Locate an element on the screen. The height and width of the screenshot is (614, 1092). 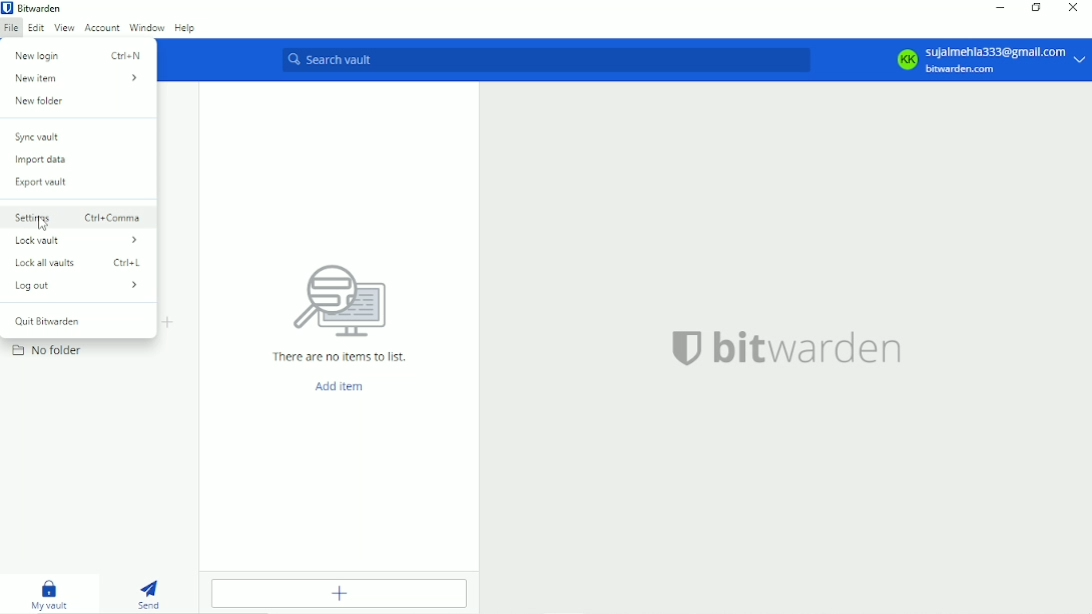
Sync vault is located at coordinates (40, 136).